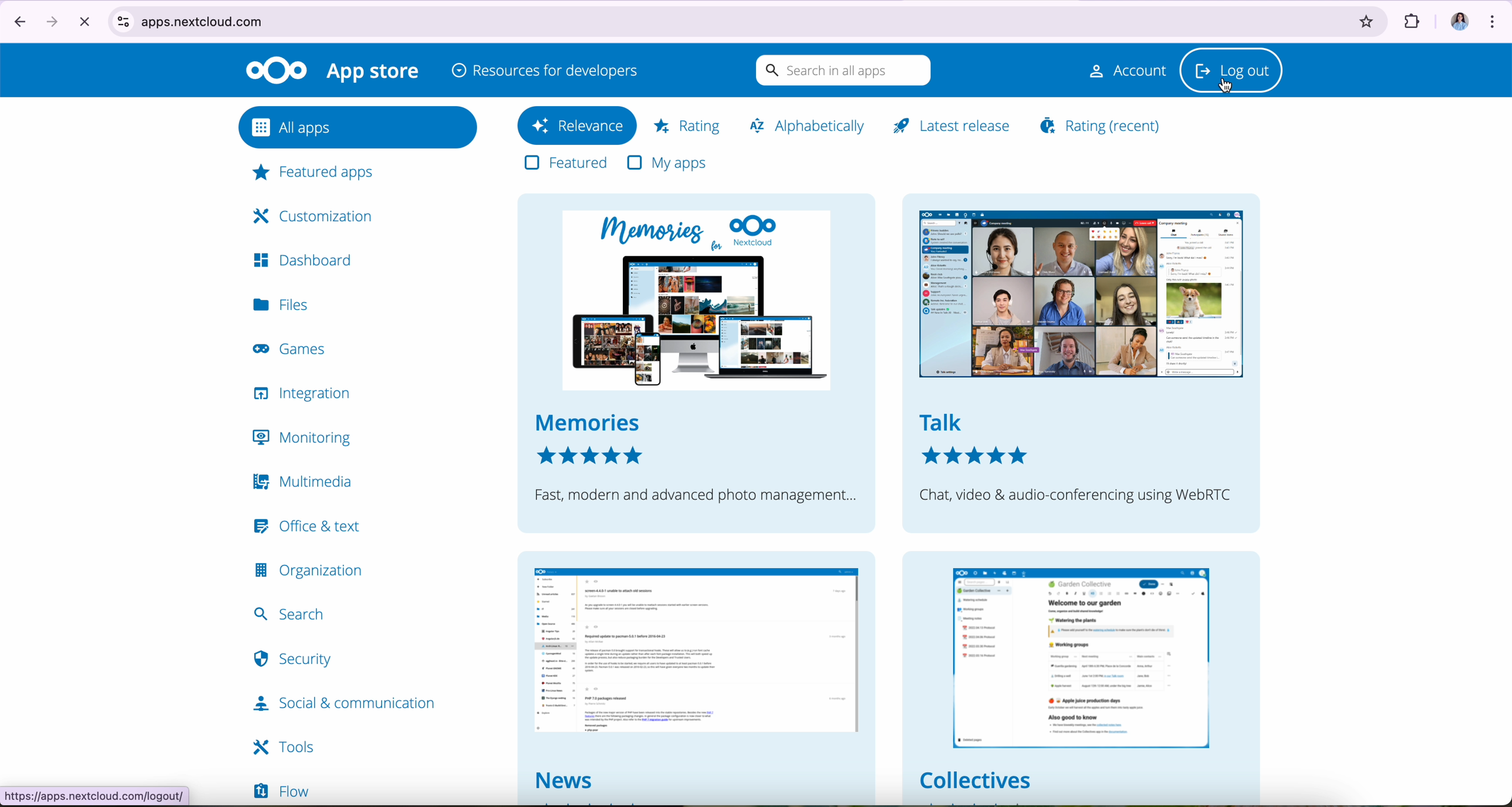 This screenshot has height=807, width=1512. I want to click on featured apps, so click(313, 174).